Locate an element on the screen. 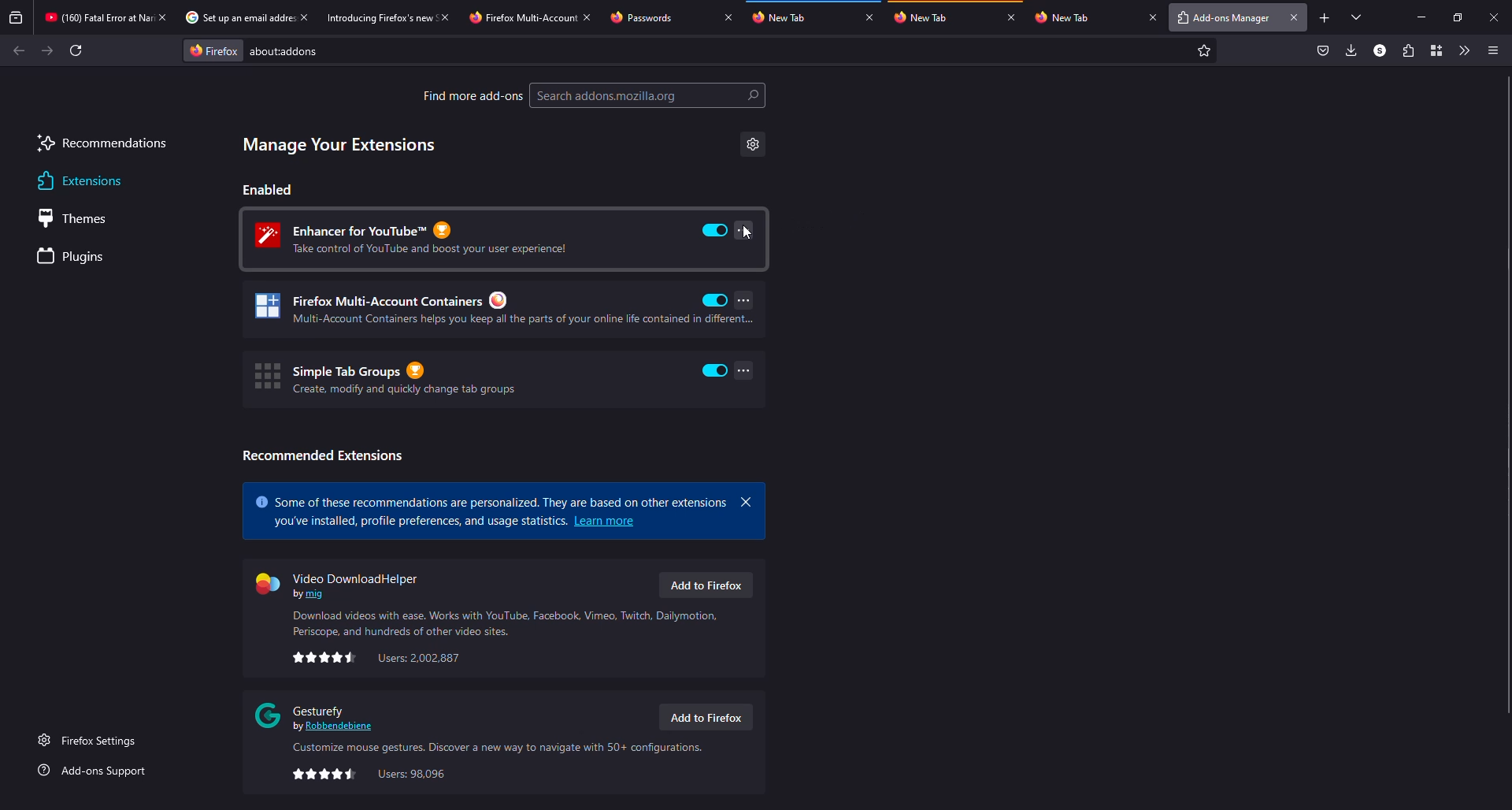 Image resolution: width=1512 pixels, height=810 pixels. back is located at coordinates (19, 50).